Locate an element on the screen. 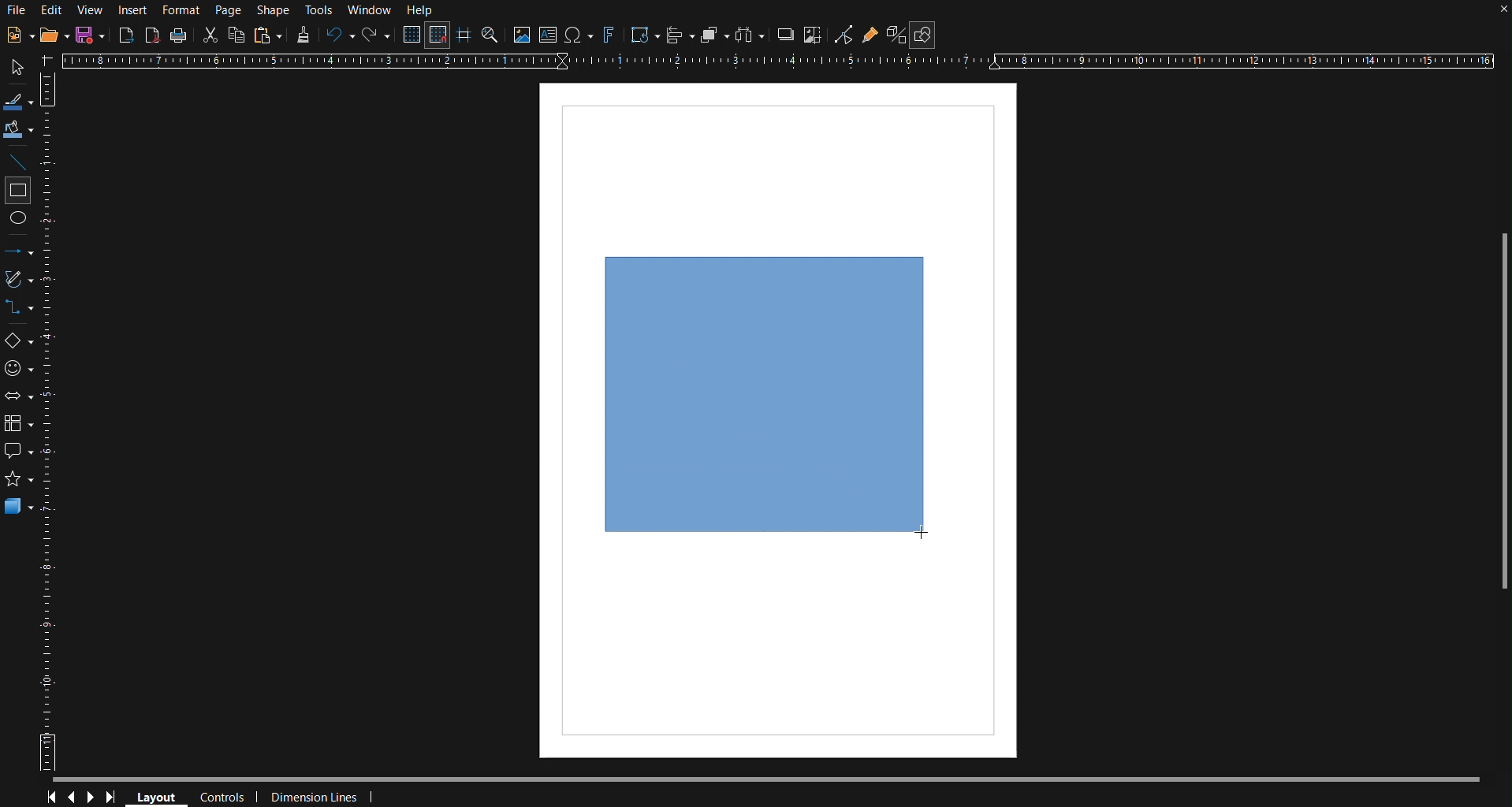 This screenshot has width=1512, height=807. Rectangle is located at coordinates (19, 191).